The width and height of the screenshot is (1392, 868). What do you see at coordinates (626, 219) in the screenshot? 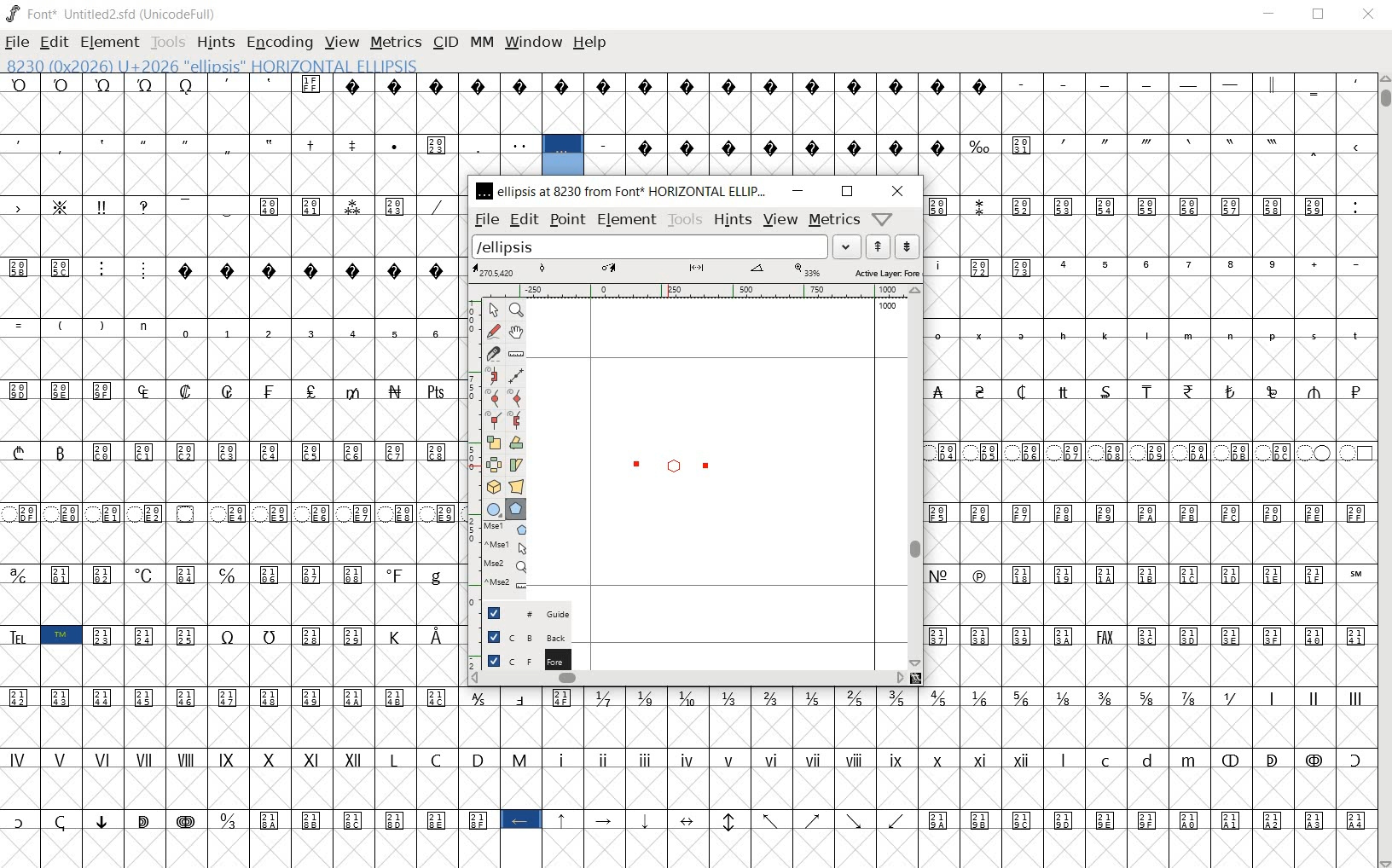
I see `element` at bounding box center [626, 219].